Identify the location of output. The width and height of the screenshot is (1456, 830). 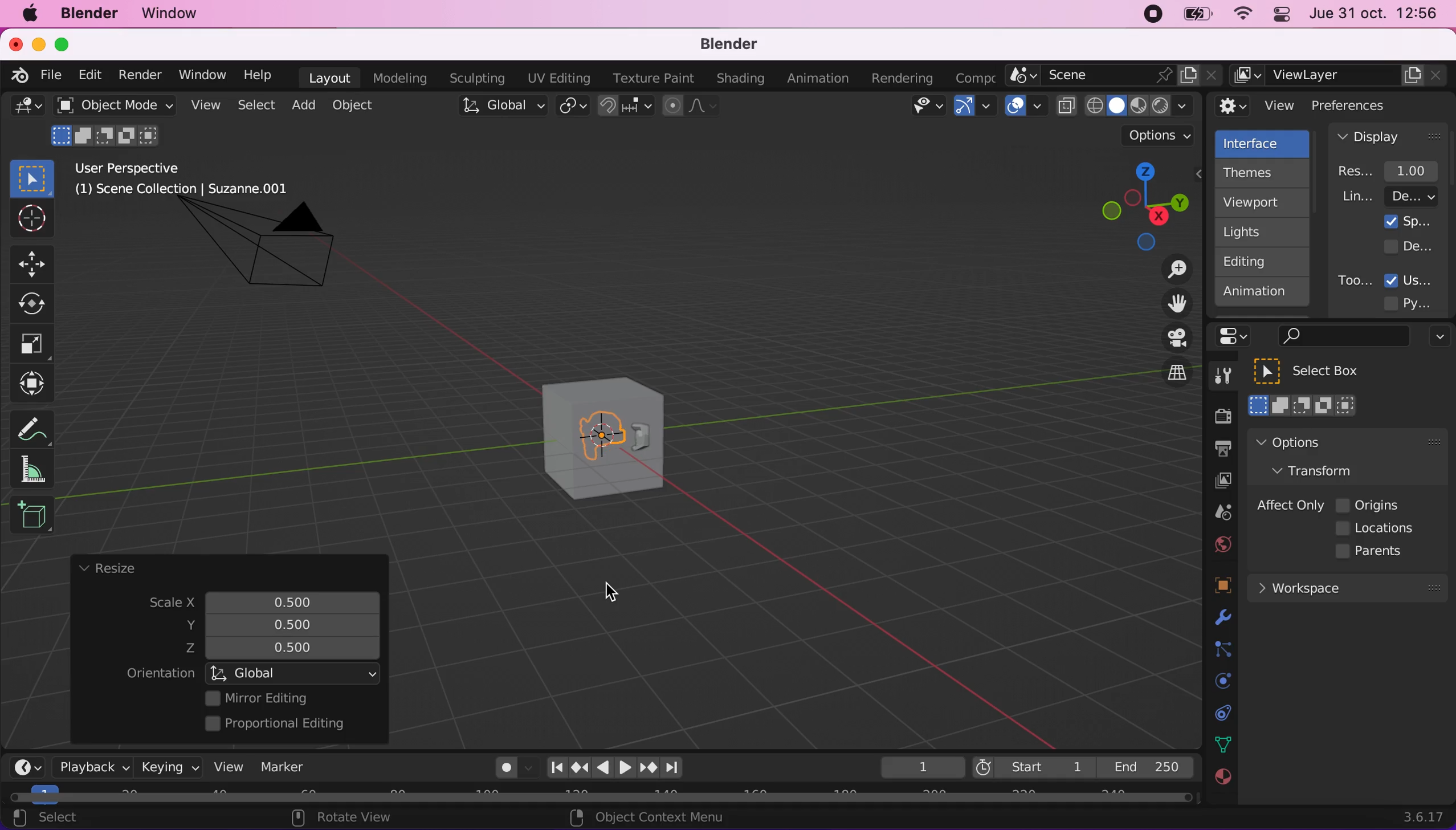
(1217, 450).